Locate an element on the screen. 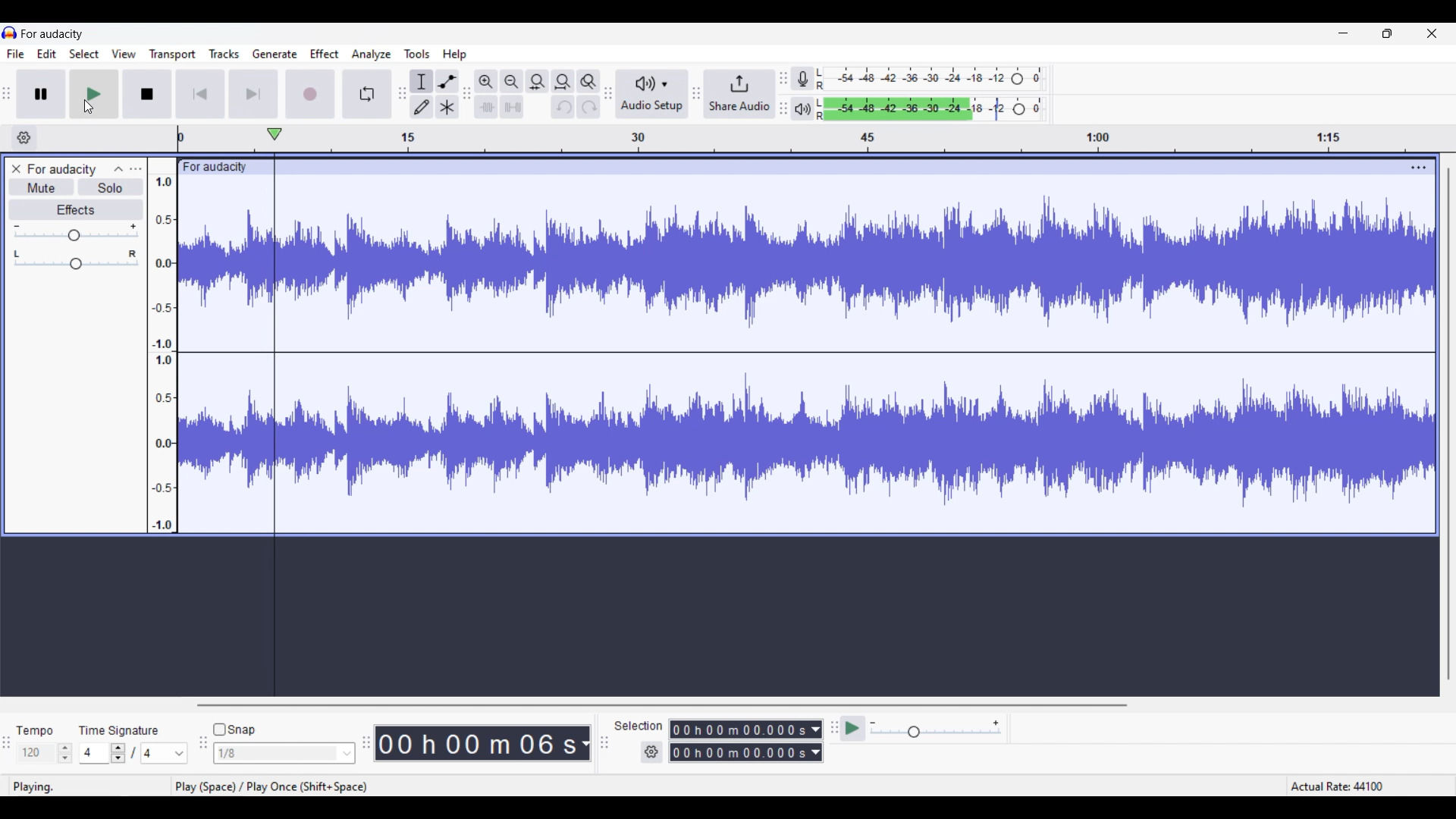  Analyze menu is located at coordinates (371, 55).